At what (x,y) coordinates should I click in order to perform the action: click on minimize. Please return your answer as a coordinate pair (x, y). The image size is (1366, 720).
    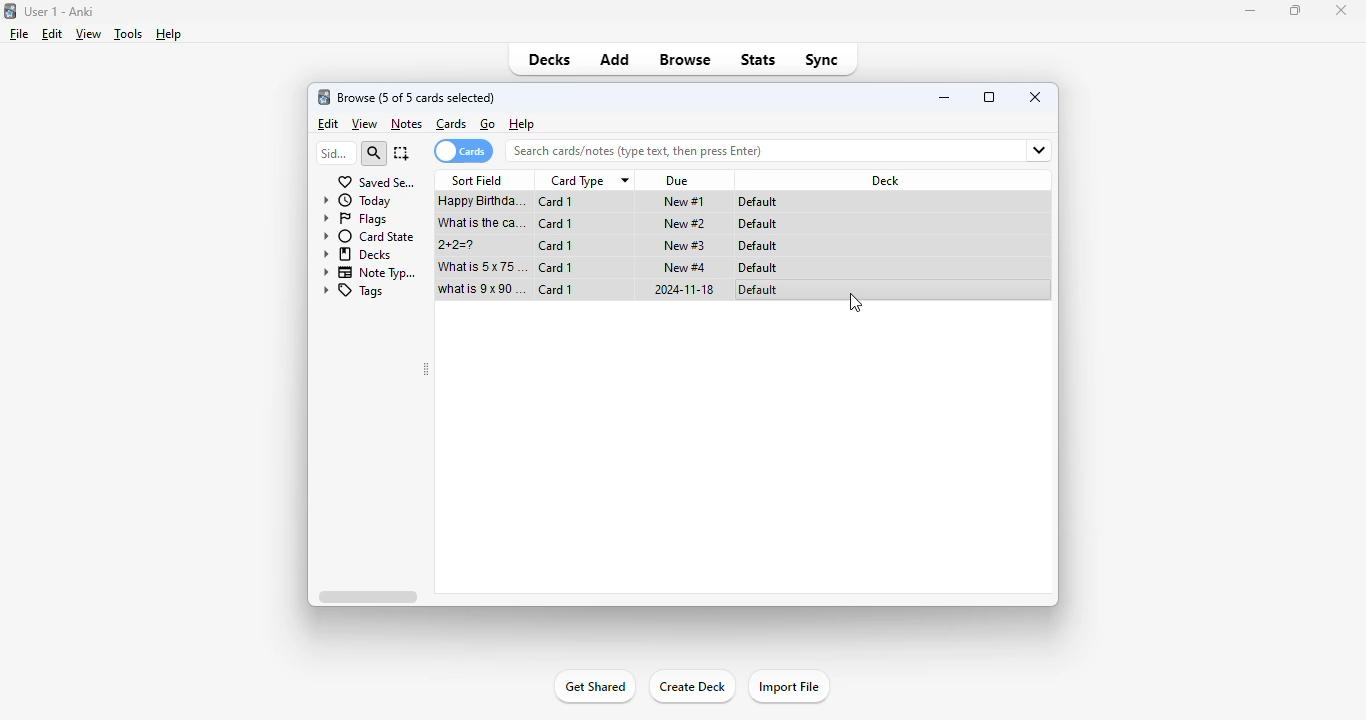
    Looking at the image, I should click on (946, 97).